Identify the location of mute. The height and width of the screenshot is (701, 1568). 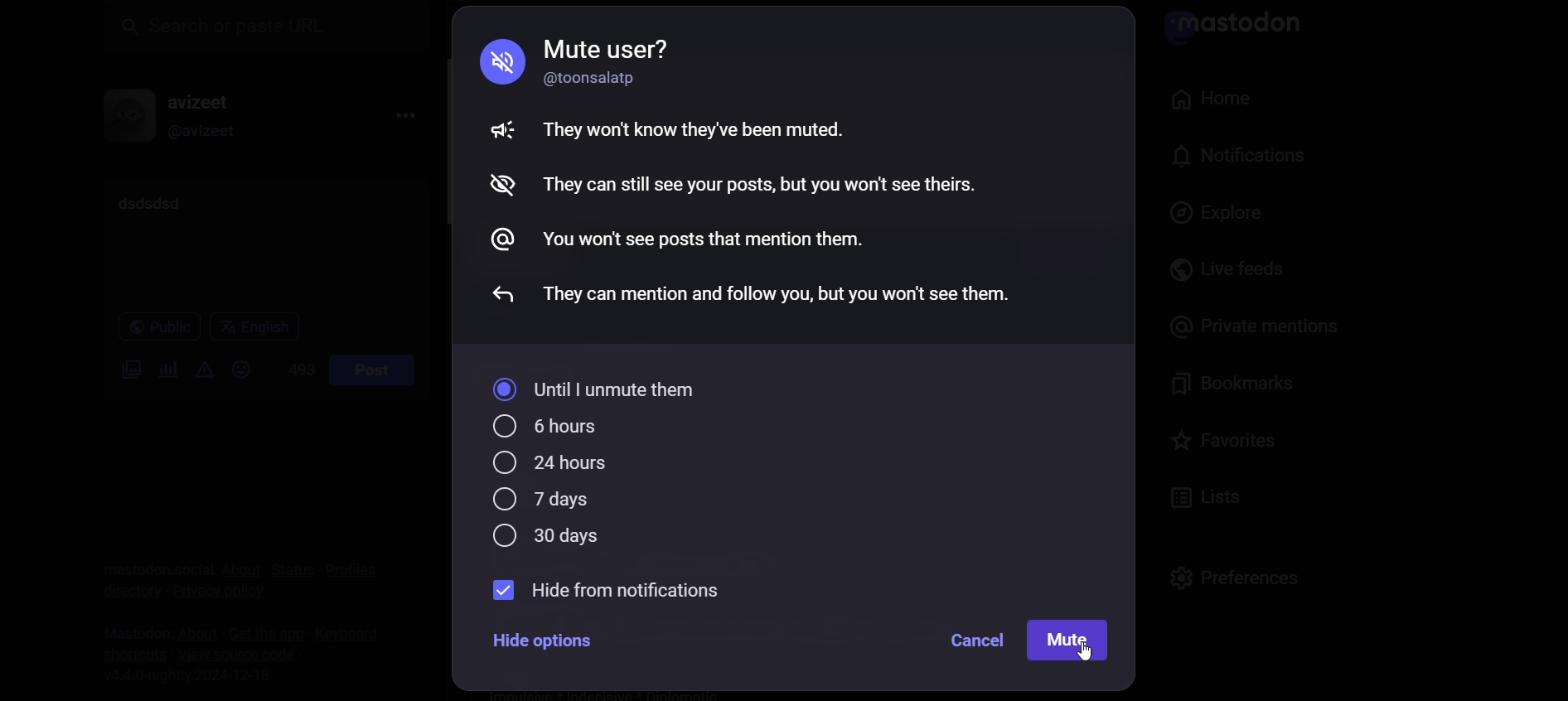
(503, 62).